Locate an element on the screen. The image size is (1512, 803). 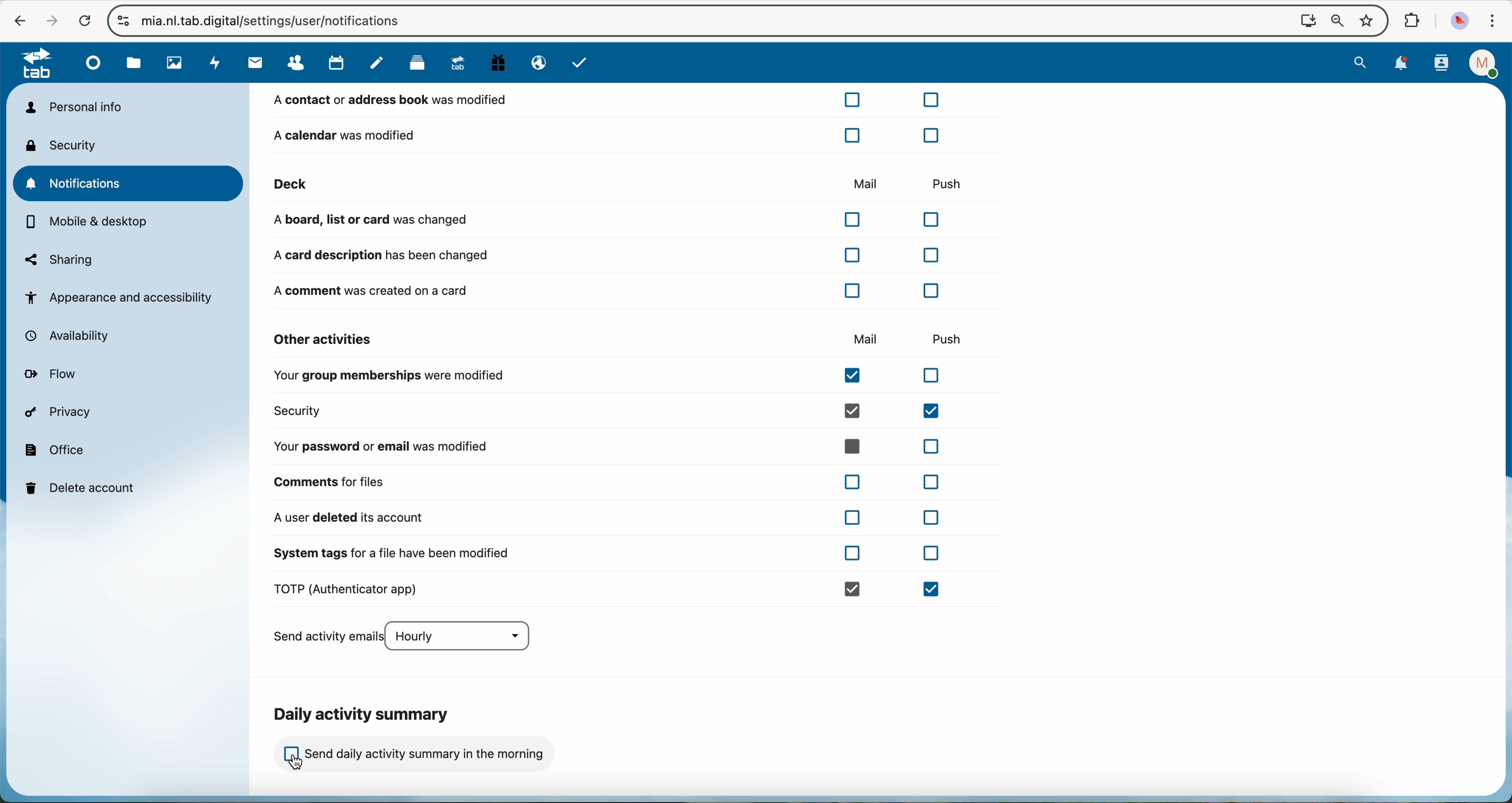
privacy is located at coordinates (61, 414).